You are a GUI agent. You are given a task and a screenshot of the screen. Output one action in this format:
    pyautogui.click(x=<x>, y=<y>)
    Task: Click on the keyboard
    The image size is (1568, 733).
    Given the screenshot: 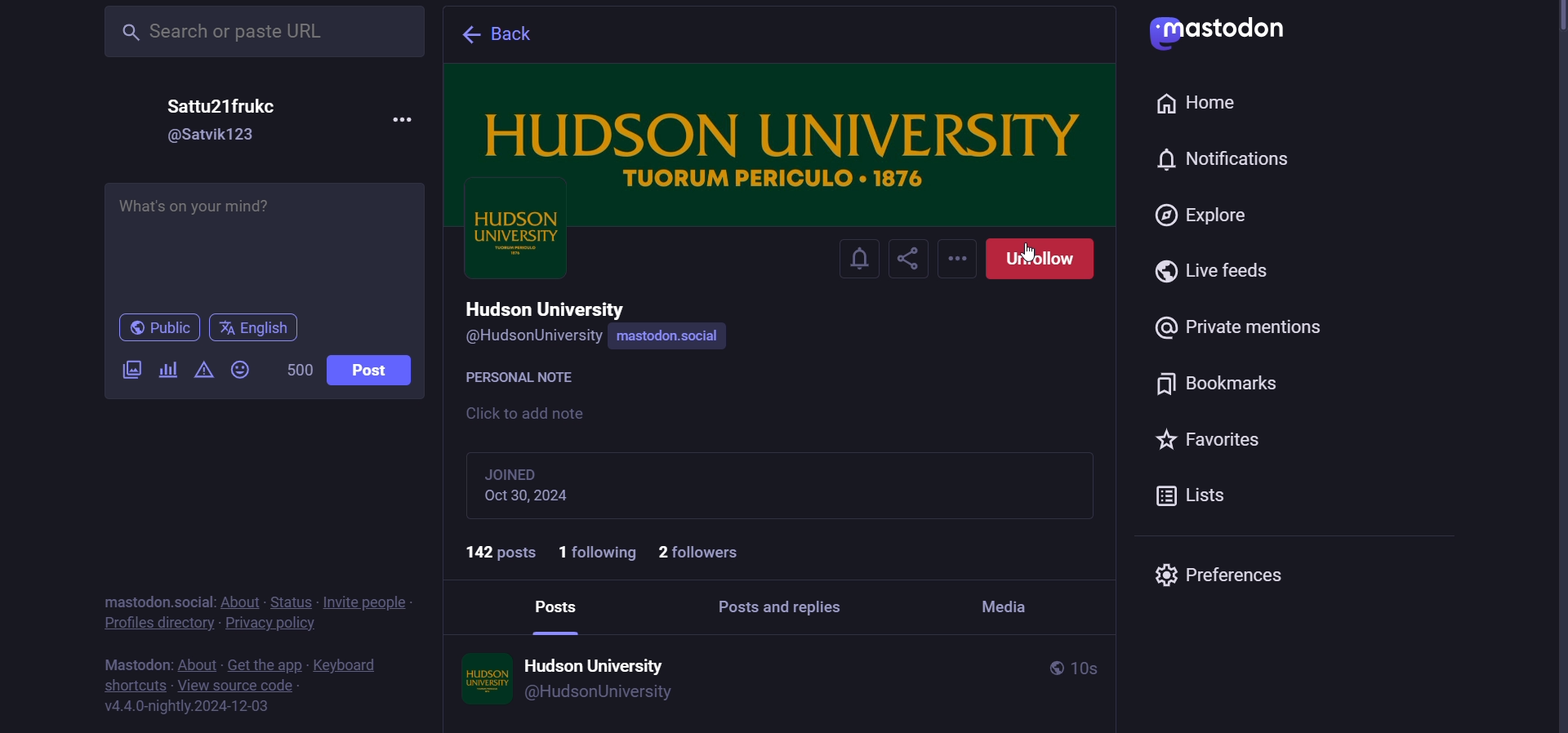 What is the action you would take?
    pyautogui.click(x=348, y=665)
    